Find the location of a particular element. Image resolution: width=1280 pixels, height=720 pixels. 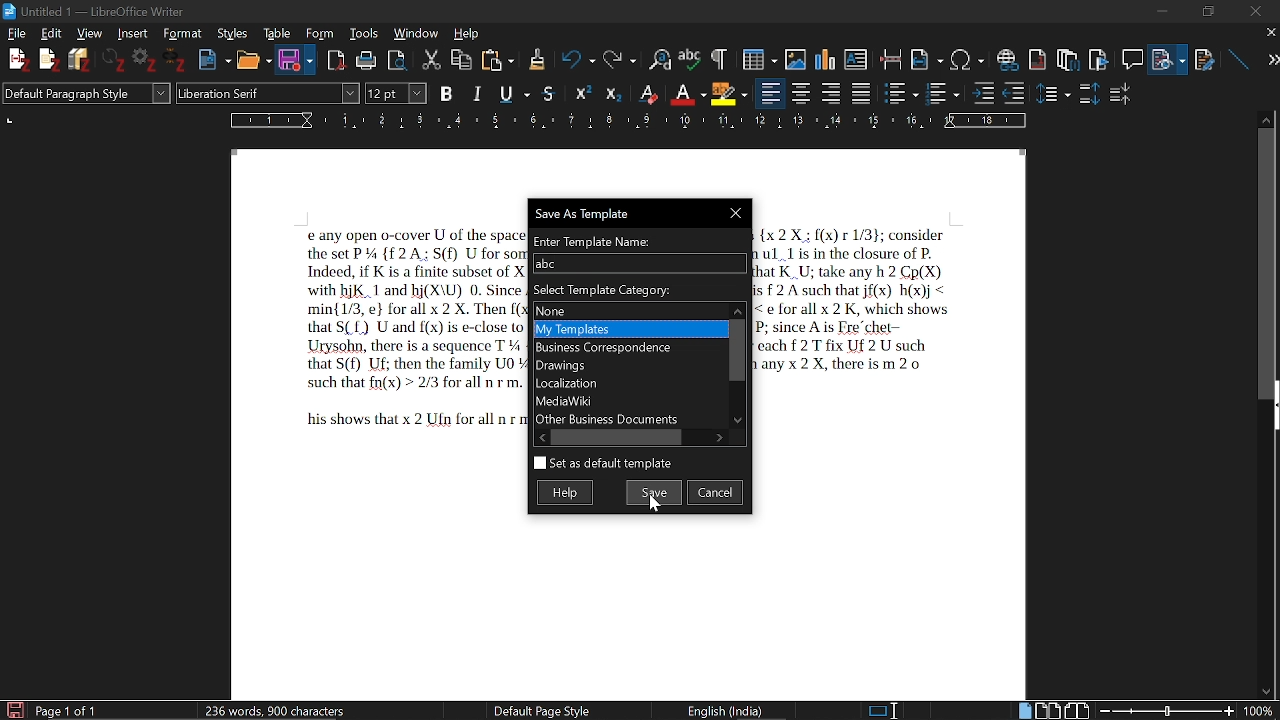

Underline options is located at coordinates (512, 91).